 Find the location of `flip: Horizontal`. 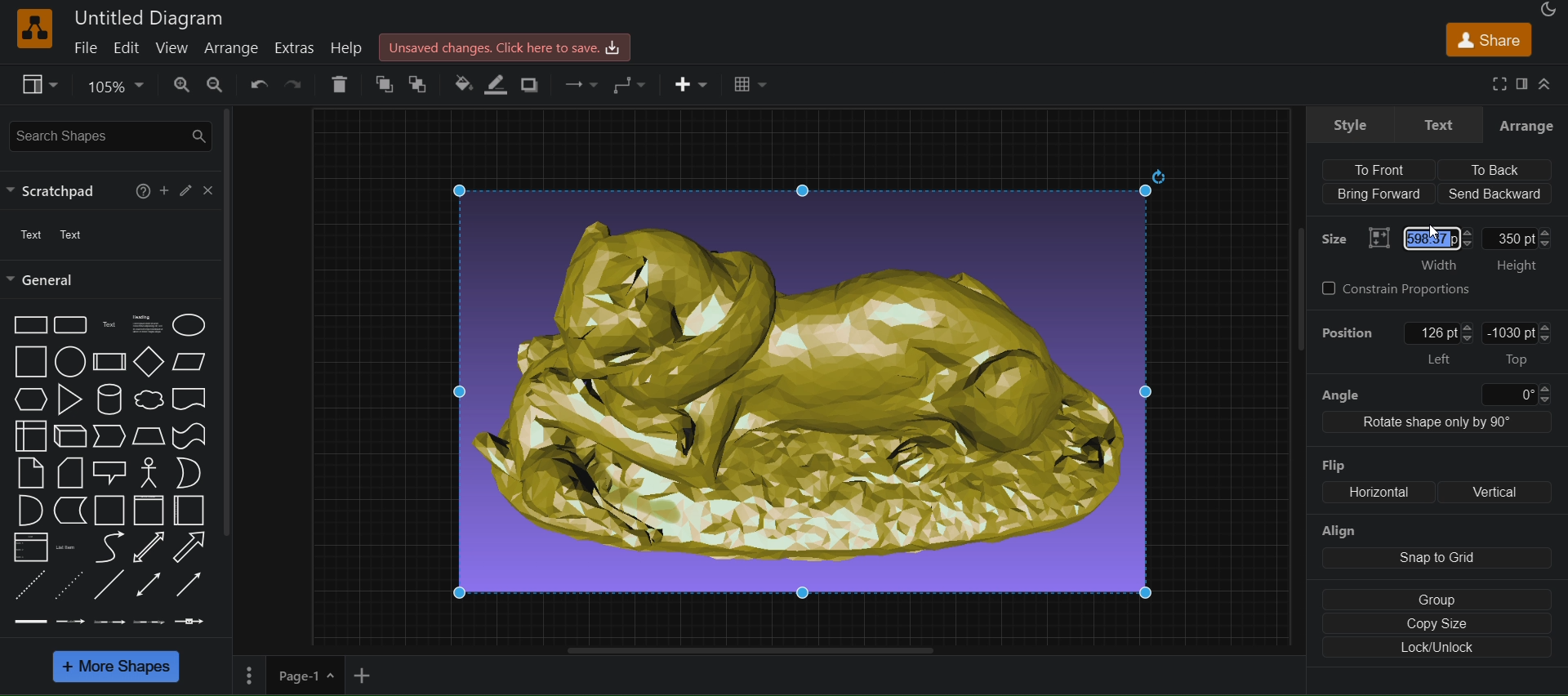

flip: Horizontal is located at coordinates (1363, 495).